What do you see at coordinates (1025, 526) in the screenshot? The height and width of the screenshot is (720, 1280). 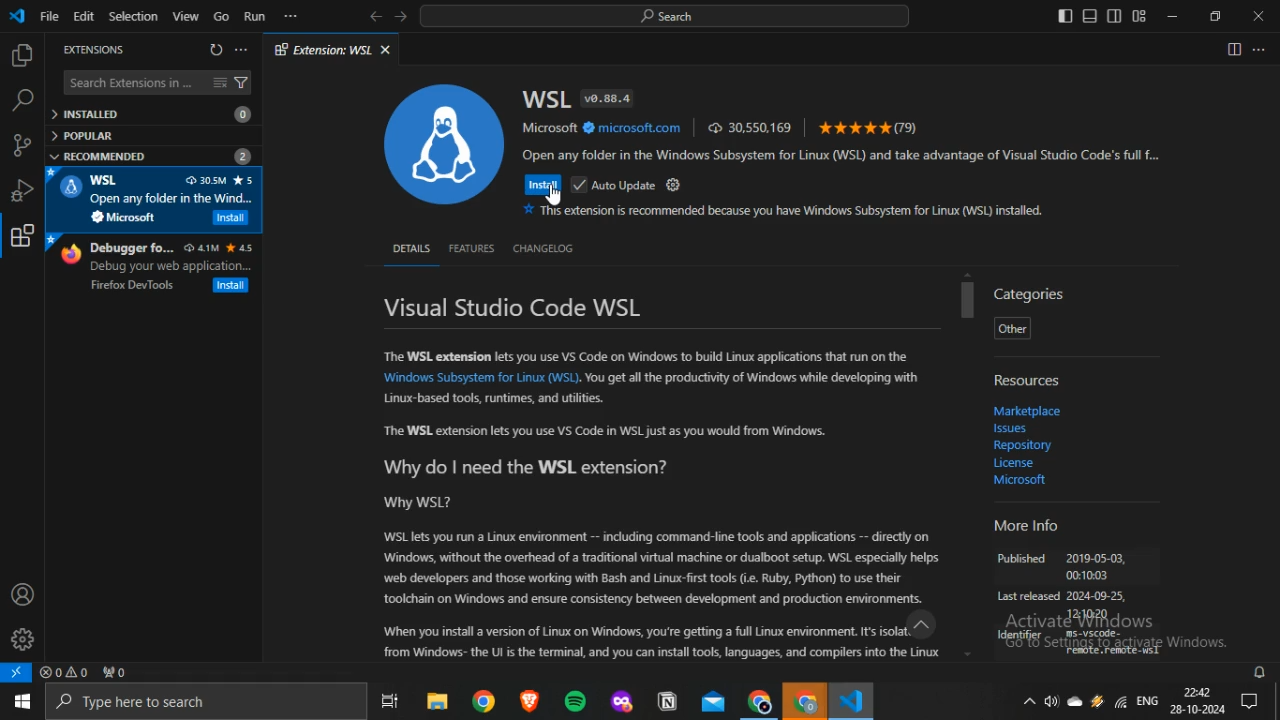 I see `More Info` at bounding box center [1025, 526].